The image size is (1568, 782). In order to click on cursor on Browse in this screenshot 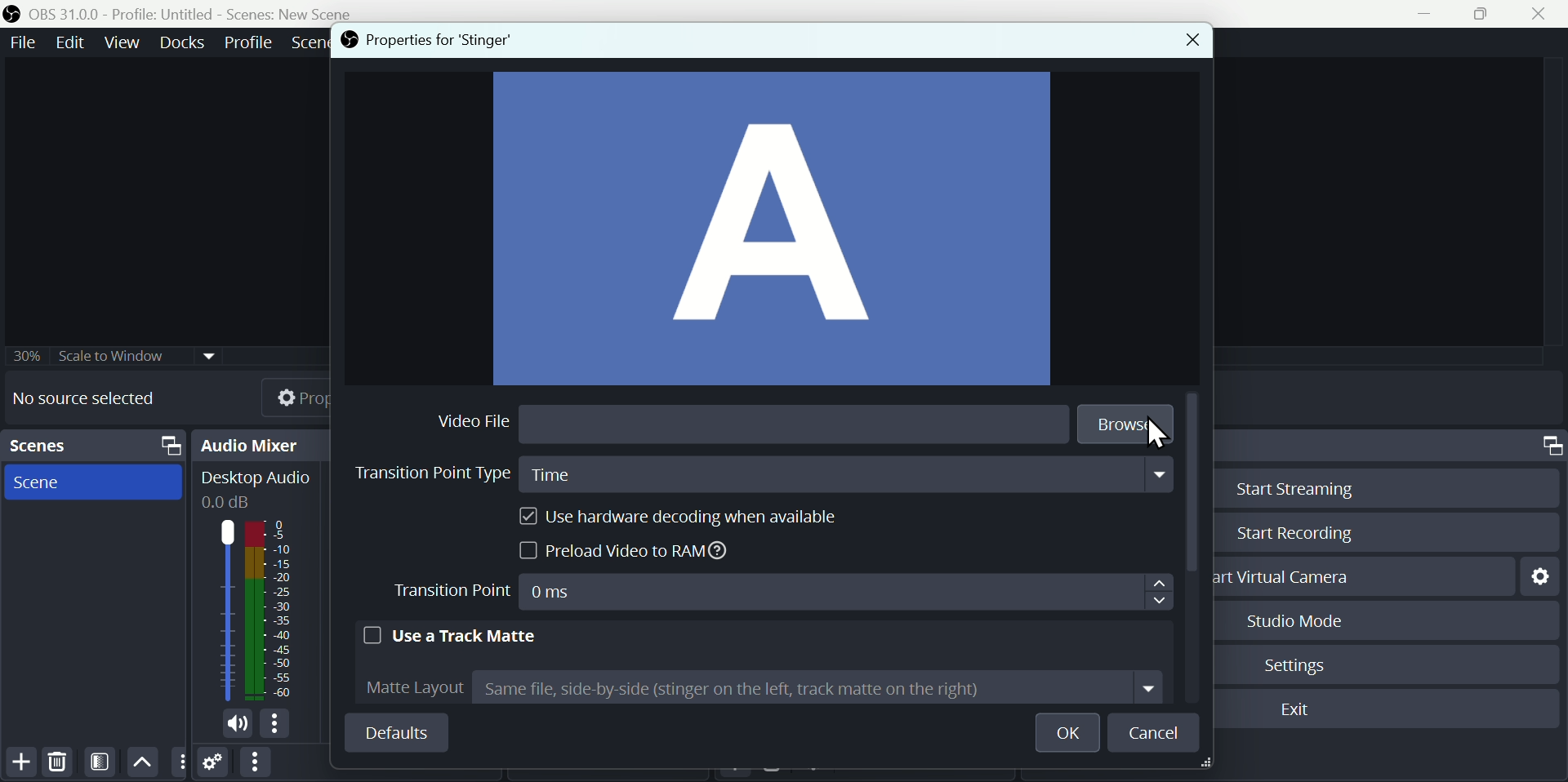, I will do `click(1160, 434)`.